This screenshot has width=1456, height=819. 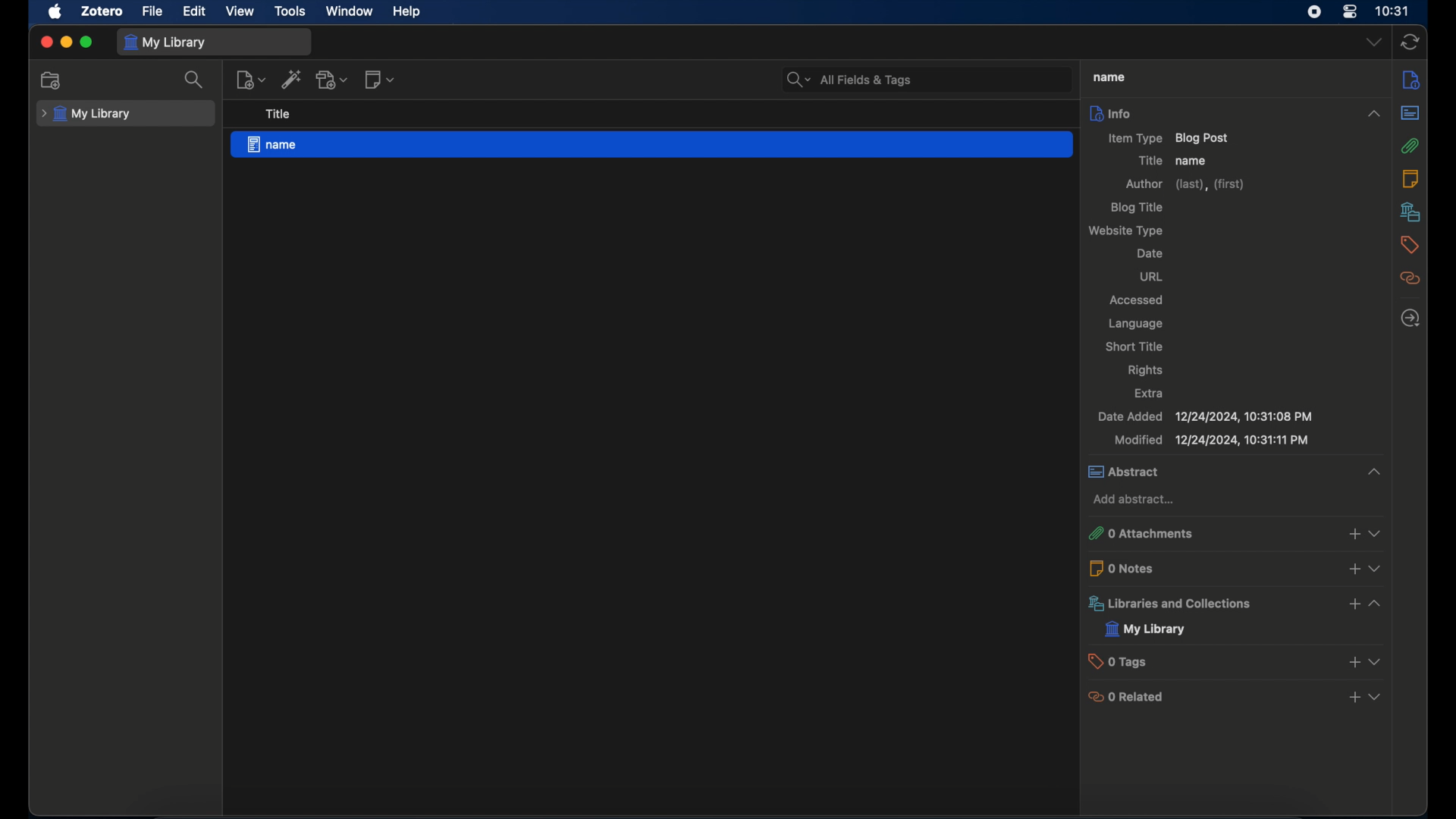 What do you see at coordinates (290, 11) in the screenshot?
I see `tools` at bounding box center [290, 11].